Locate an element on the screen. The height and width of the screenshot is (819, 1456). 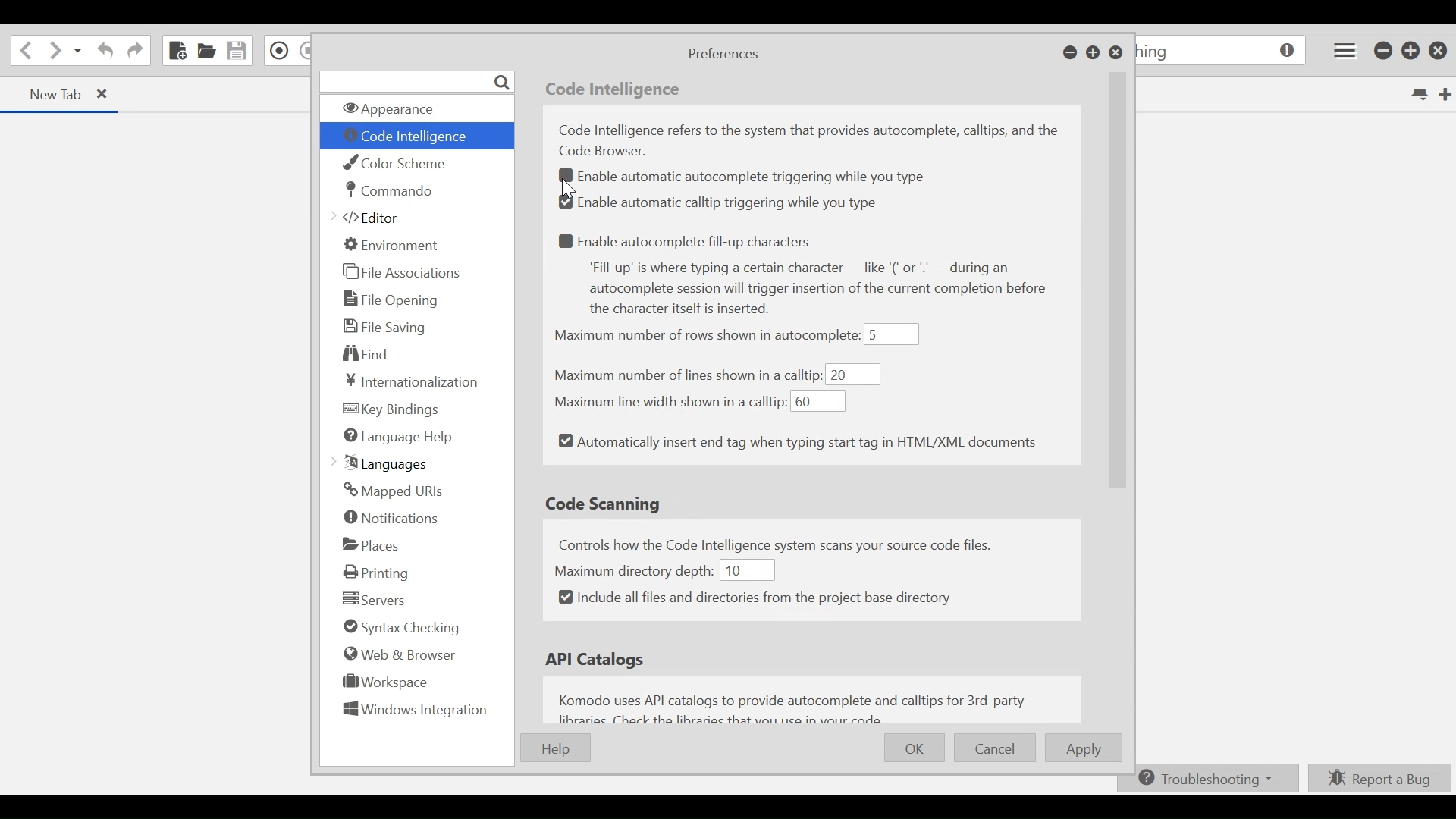
Places is located at coordinates (372, 544).